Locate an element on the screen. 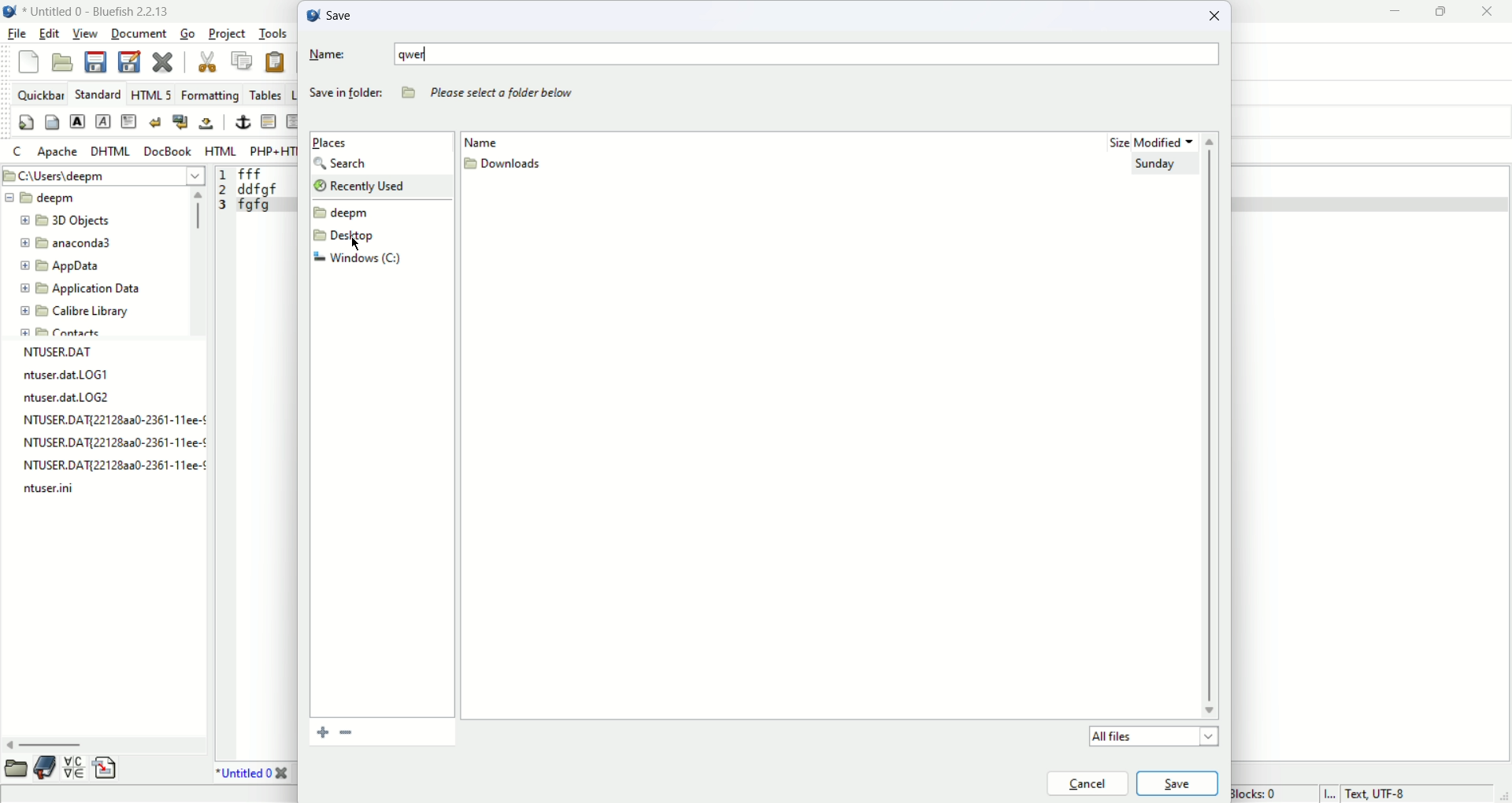  recently used is located at coordinates (379, 185).